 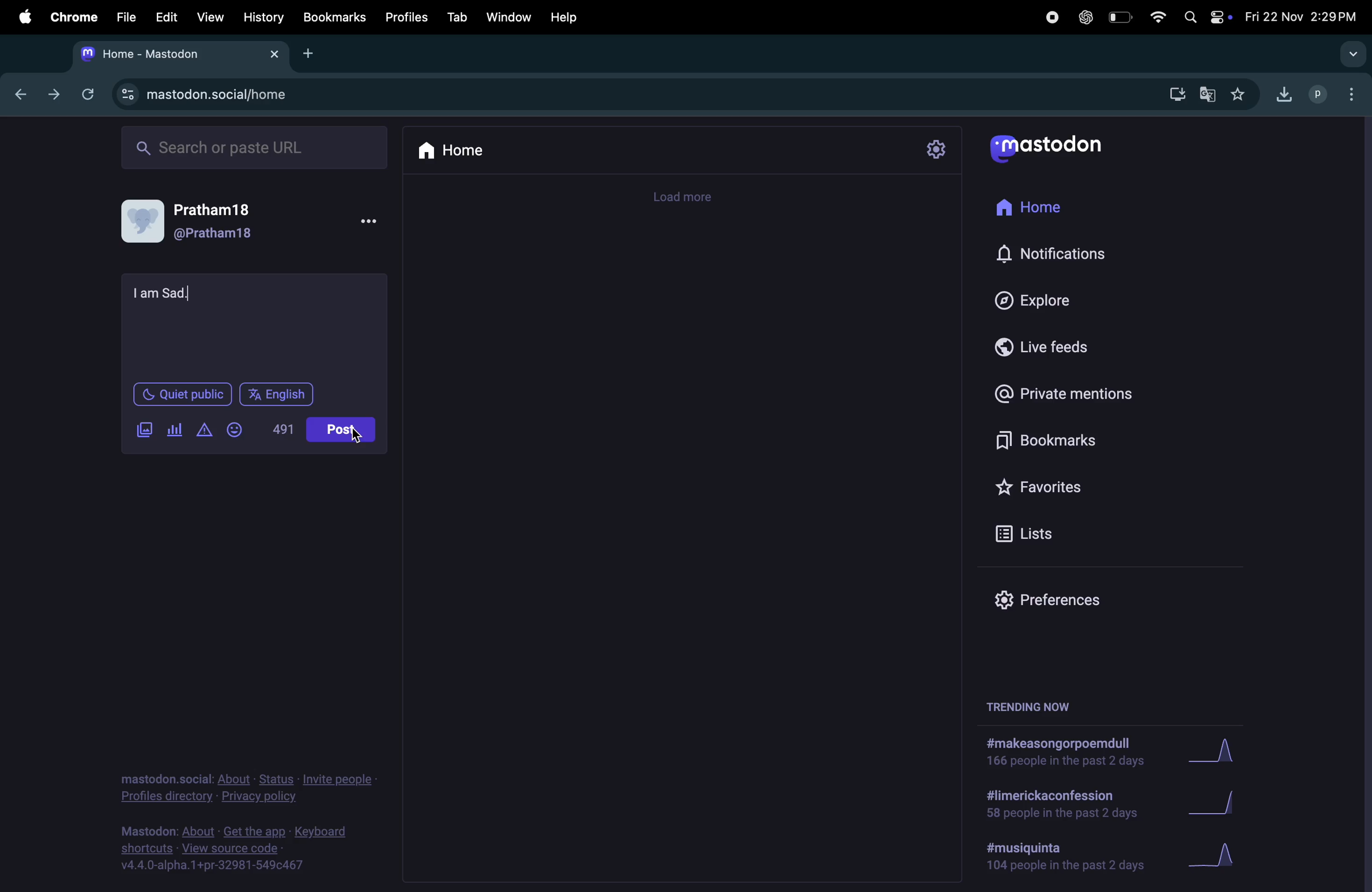 I want to click on profiles, so click(x=404, y=17).